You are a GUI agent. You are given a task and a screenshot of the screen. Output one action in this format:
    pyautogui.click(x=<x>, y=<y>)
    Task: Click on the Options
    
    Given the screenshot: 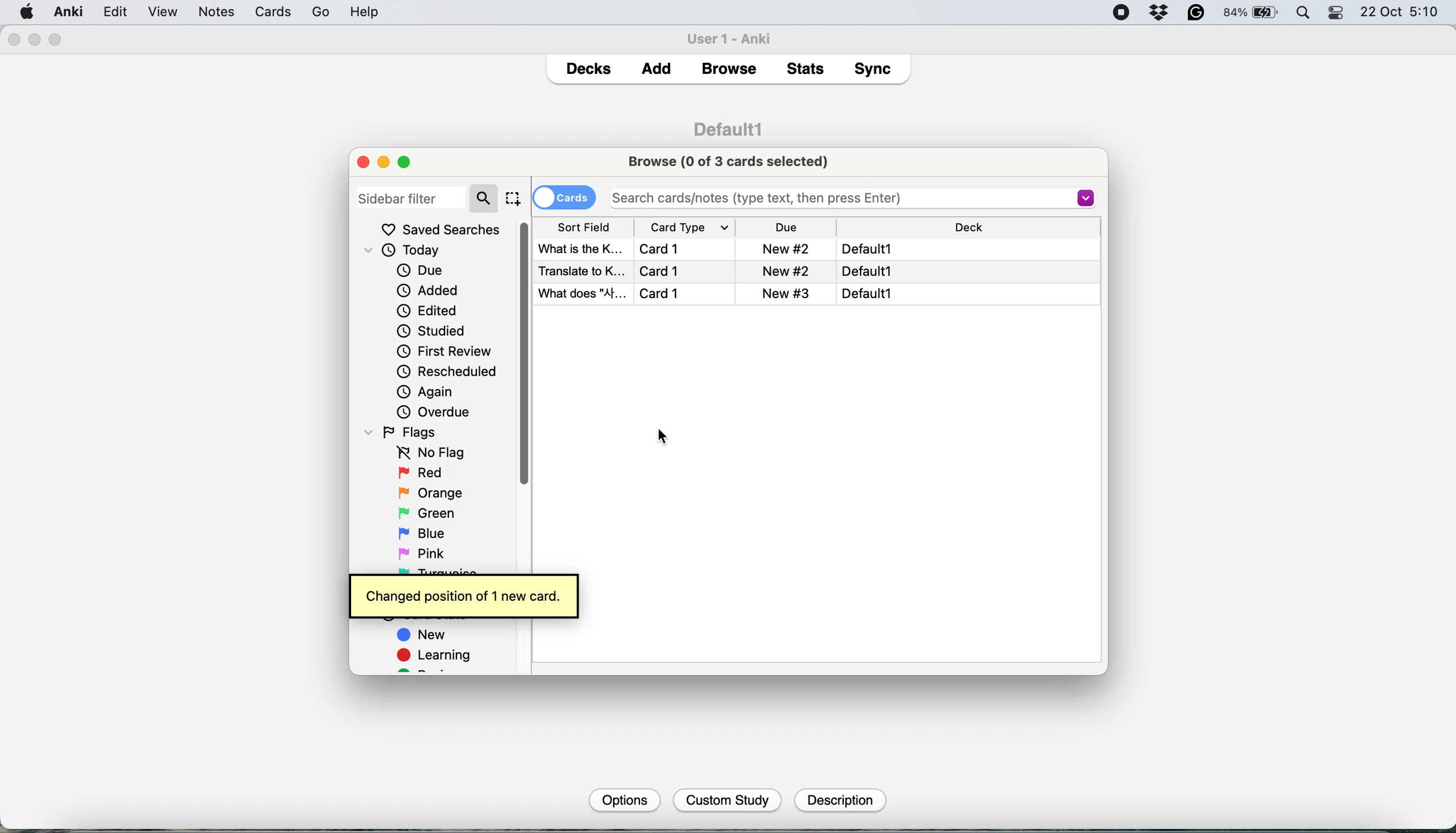 What is the action you would take?
    pyautogui.click(x=623, y=799)
    